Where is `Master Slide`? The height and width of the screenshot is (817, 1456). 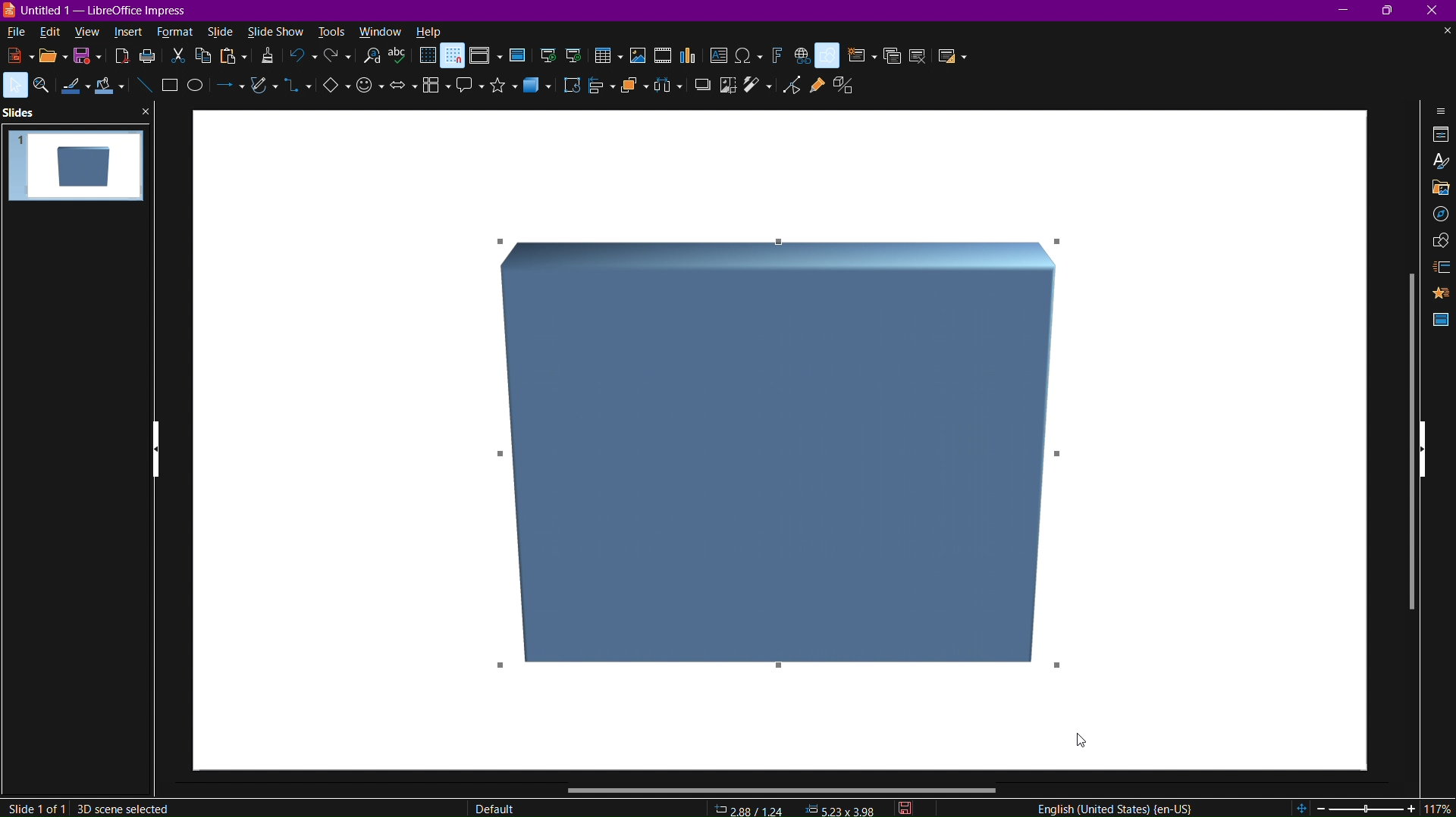
Master Slide is located at coordinates (1439, 320).